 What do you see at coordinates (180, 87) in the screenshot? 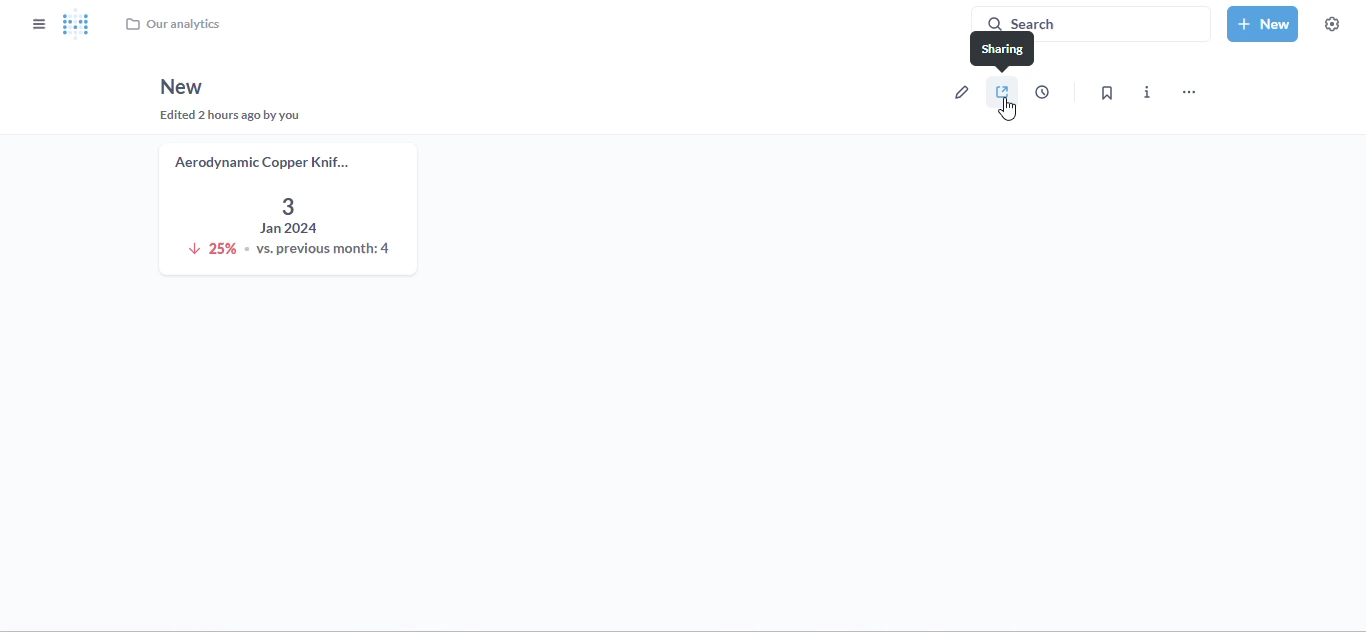
I see `new` at bounding box center [180, 87].